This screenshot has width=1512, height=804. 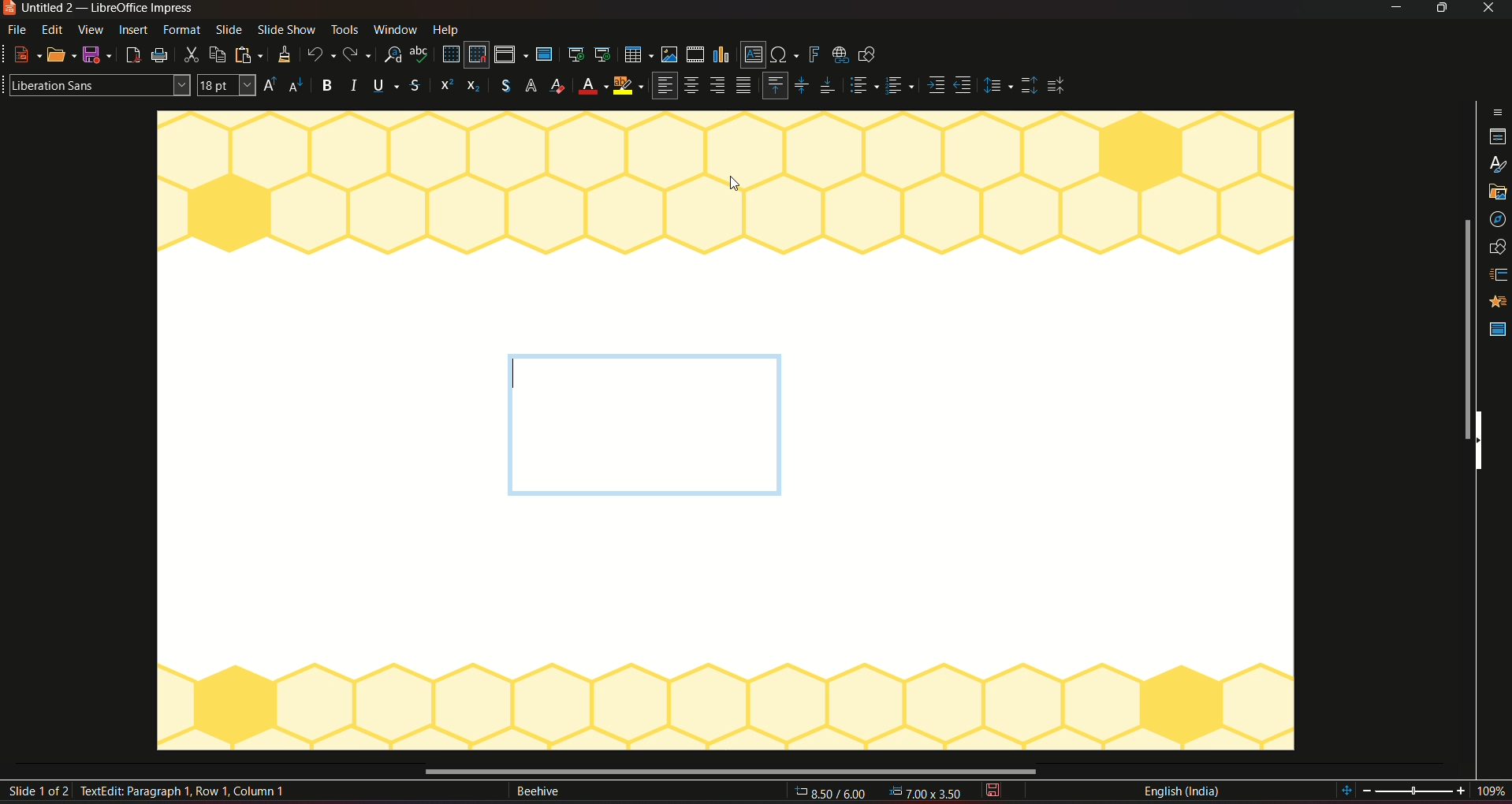 I want to click on dimensions 0.00*0.00, so click(x=928, y=794).